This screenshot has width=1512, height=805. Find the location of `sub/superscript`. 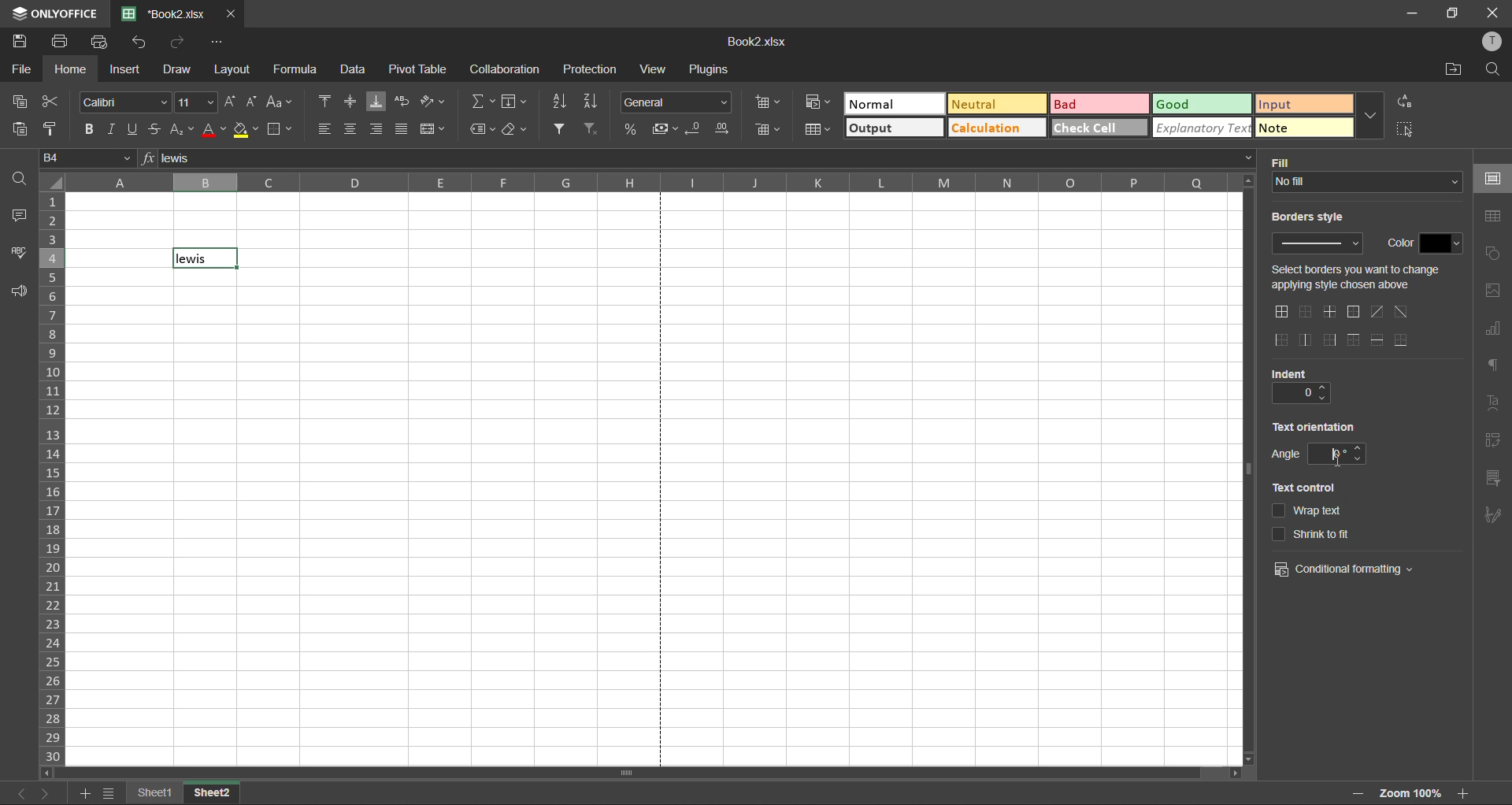

sub/superscript is located at coordinates (180, 130).